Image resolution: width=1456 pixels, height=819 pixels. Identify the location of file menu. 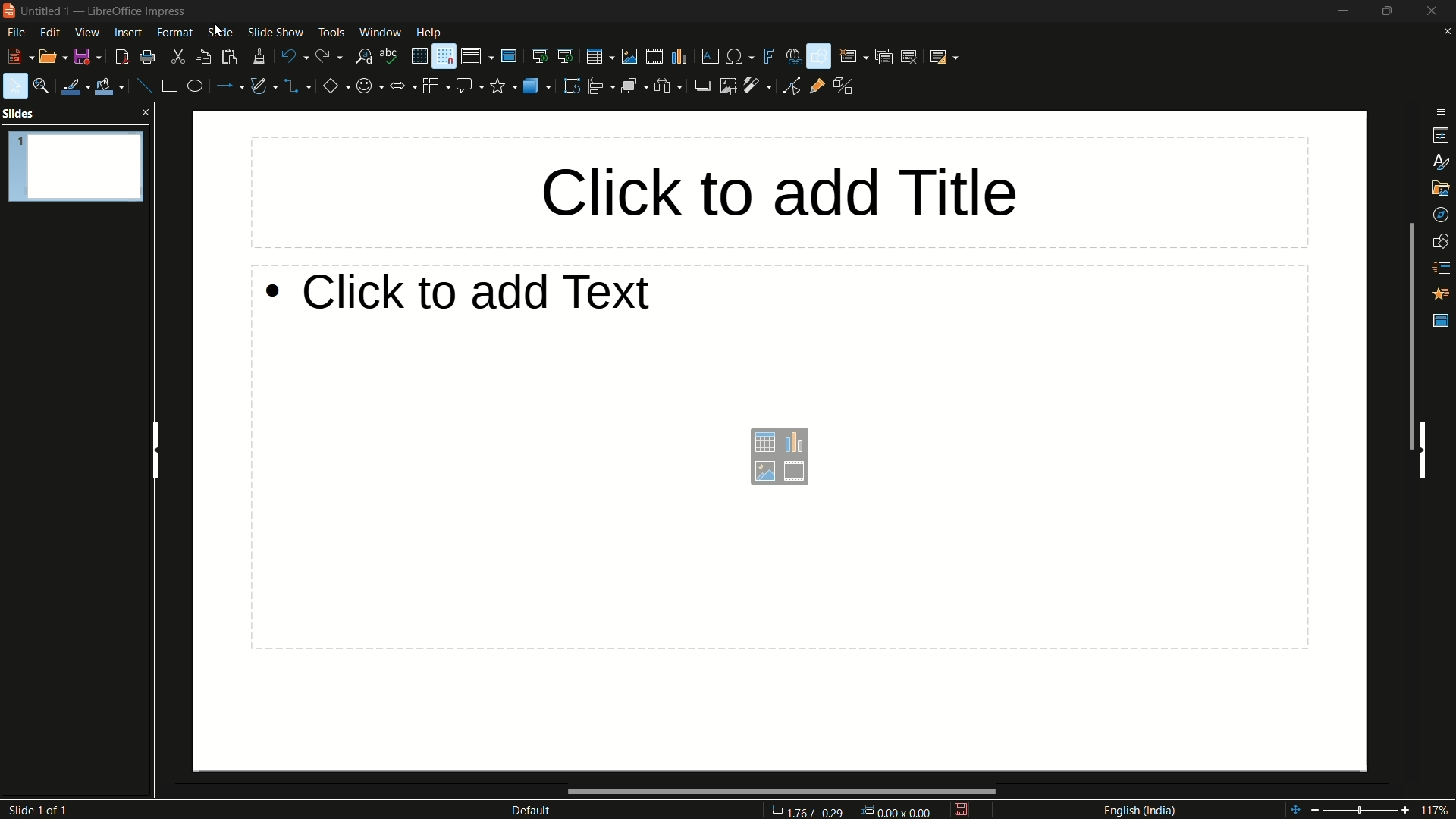
(17, 33).